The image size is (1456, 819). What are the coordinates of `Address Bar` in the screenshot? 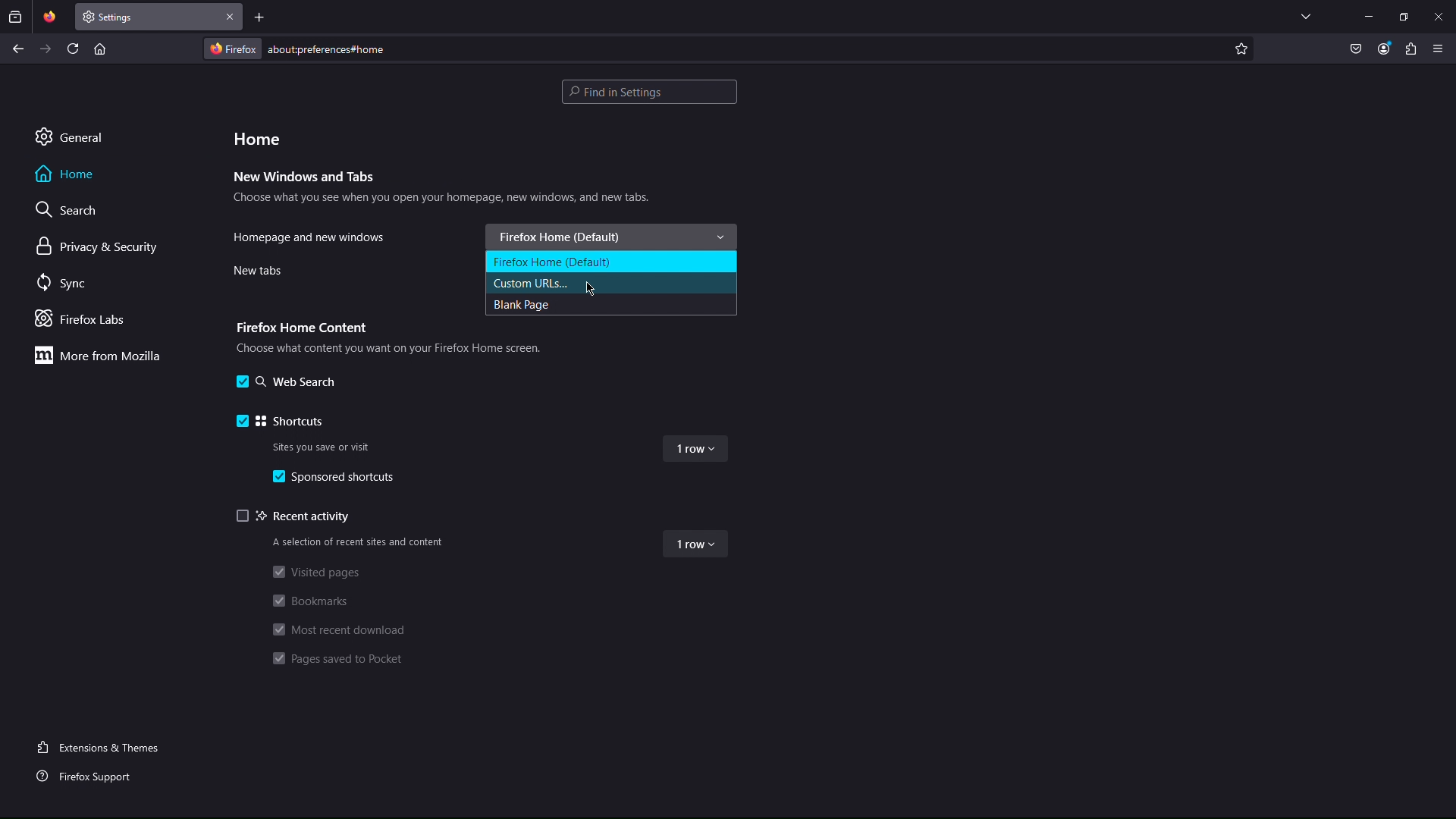 It's located at (716, 48).